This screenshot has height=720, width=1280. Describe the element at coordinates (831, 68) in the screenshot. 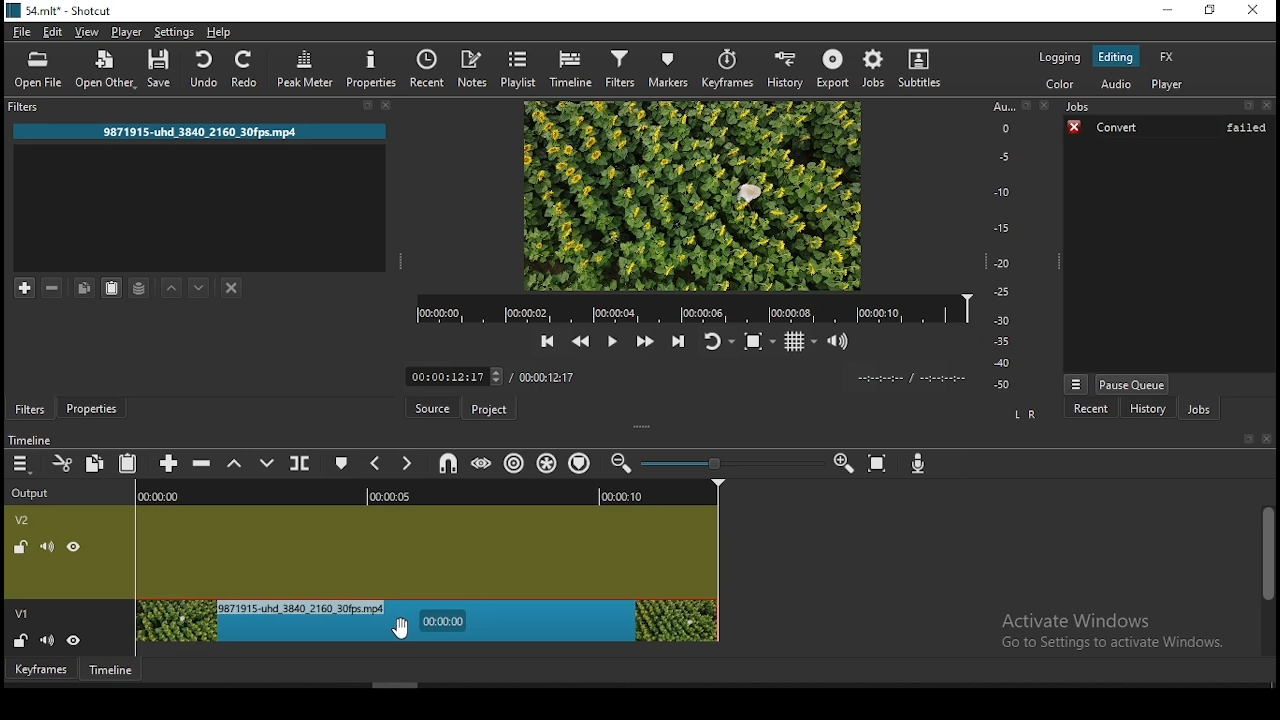

I see `export` at that location.